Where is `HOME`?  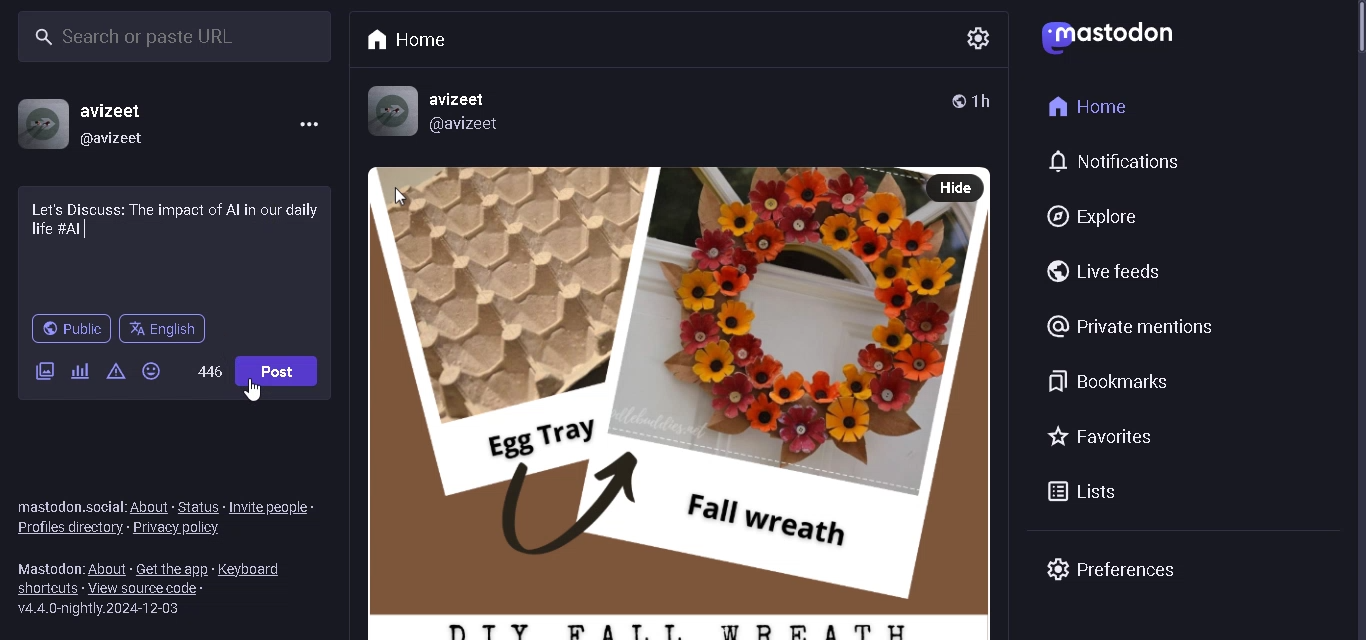 HOME is located at coordinates (1088, 108).